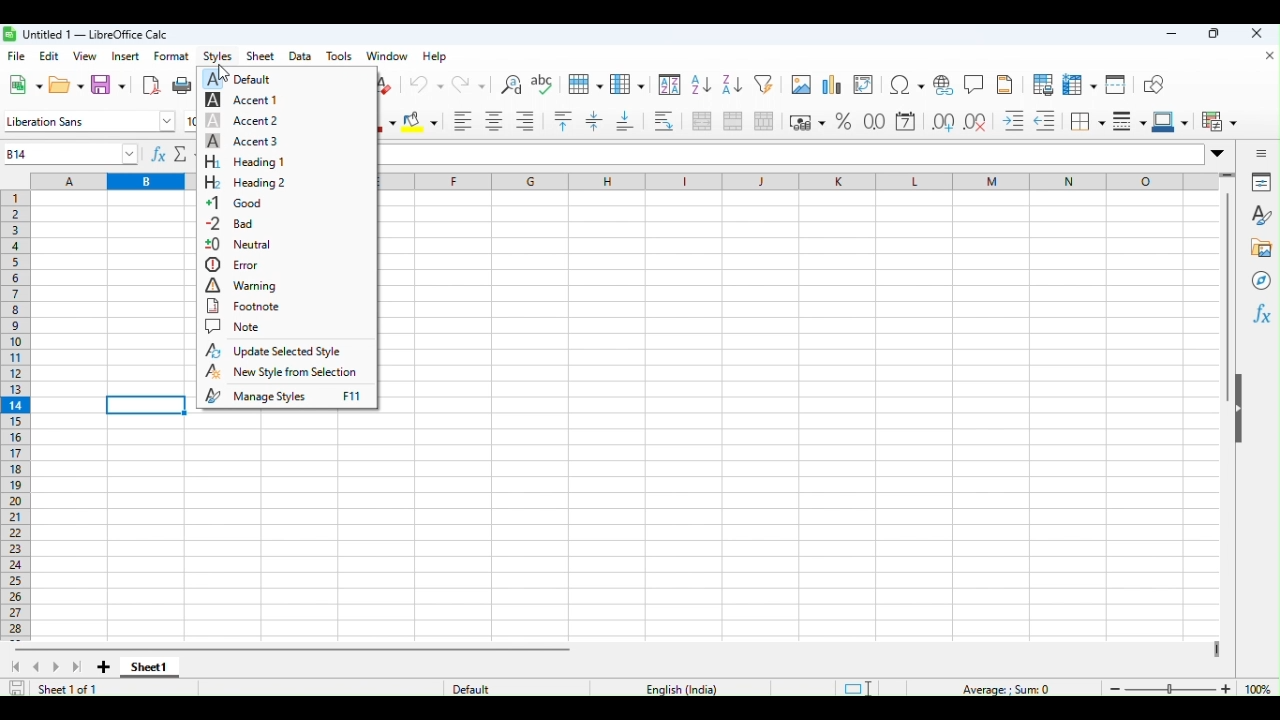 The height and width of the screenshot is (720, 1280). I want to click on n, so click(1070, 181).